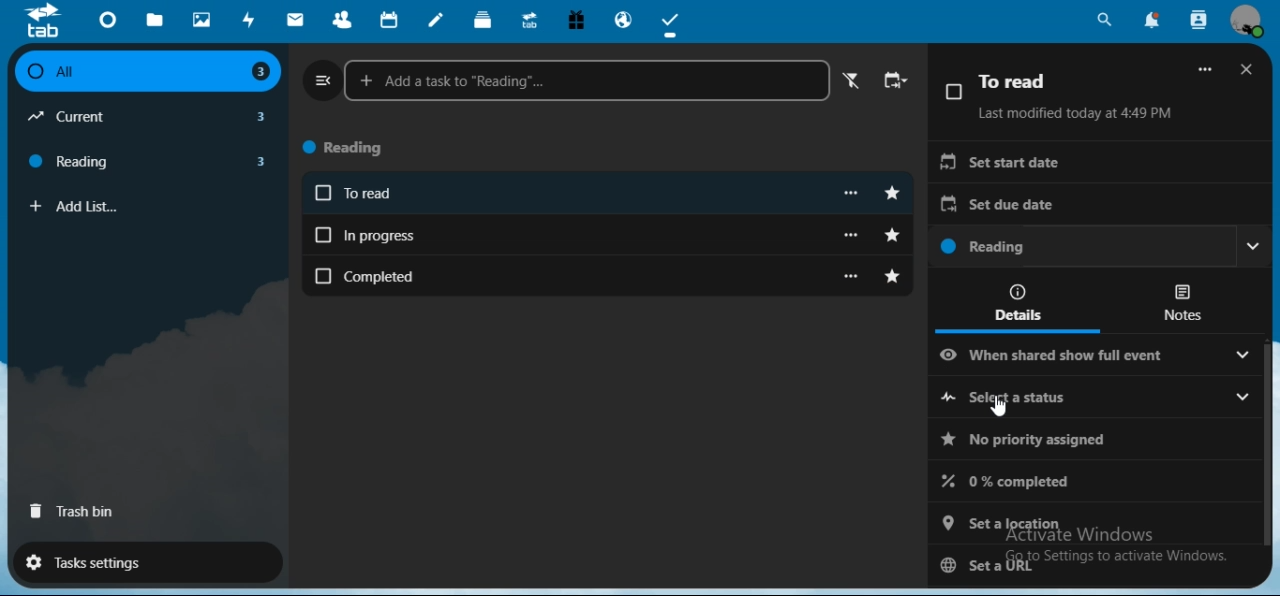 The image size is (1280, 596). Describe the element at coordinates (322, 233) in the screenshot. I see `Checkbox` at that location.